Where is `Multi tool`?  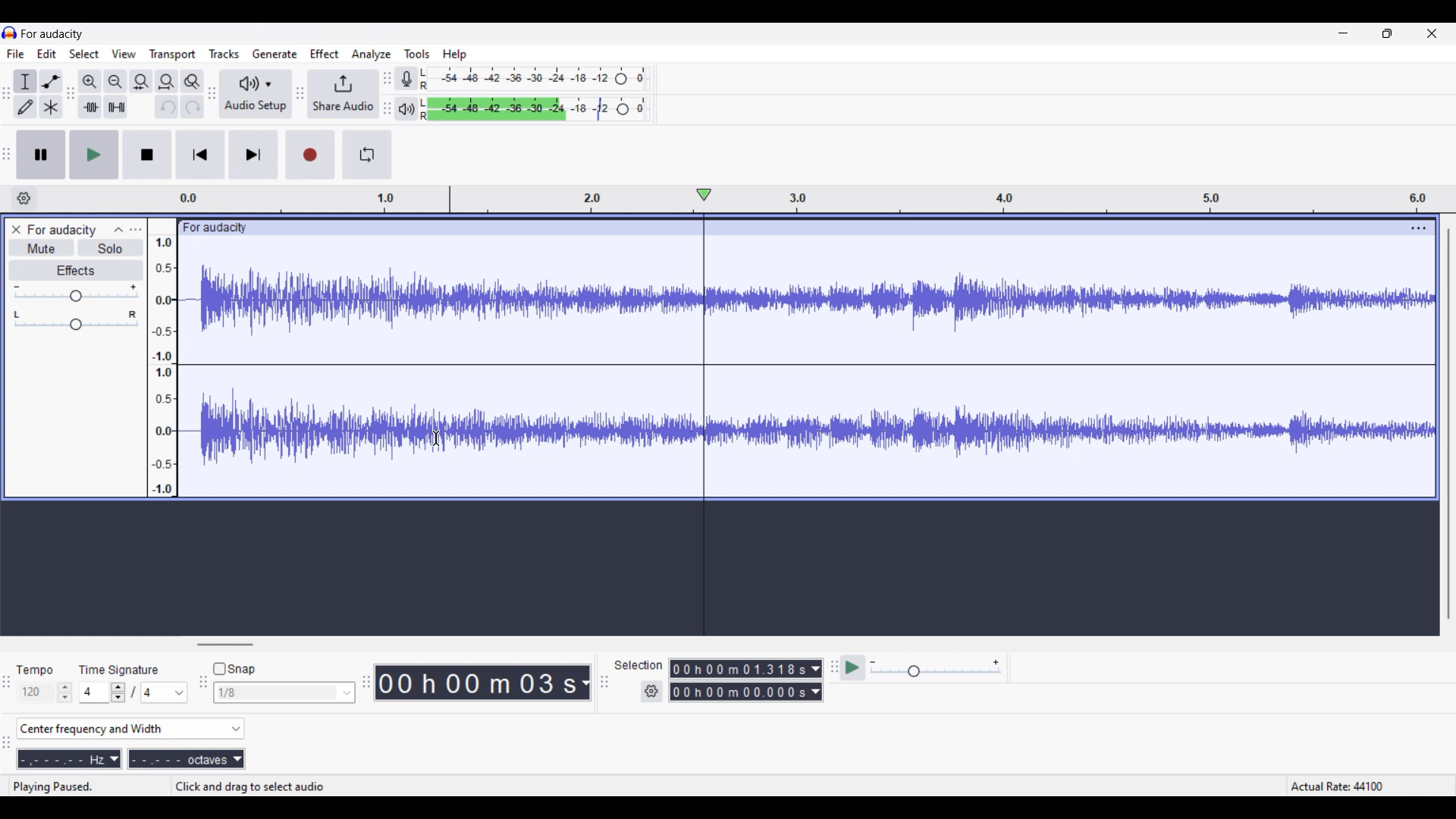
Multi tool is located at coordinates (51, 106).